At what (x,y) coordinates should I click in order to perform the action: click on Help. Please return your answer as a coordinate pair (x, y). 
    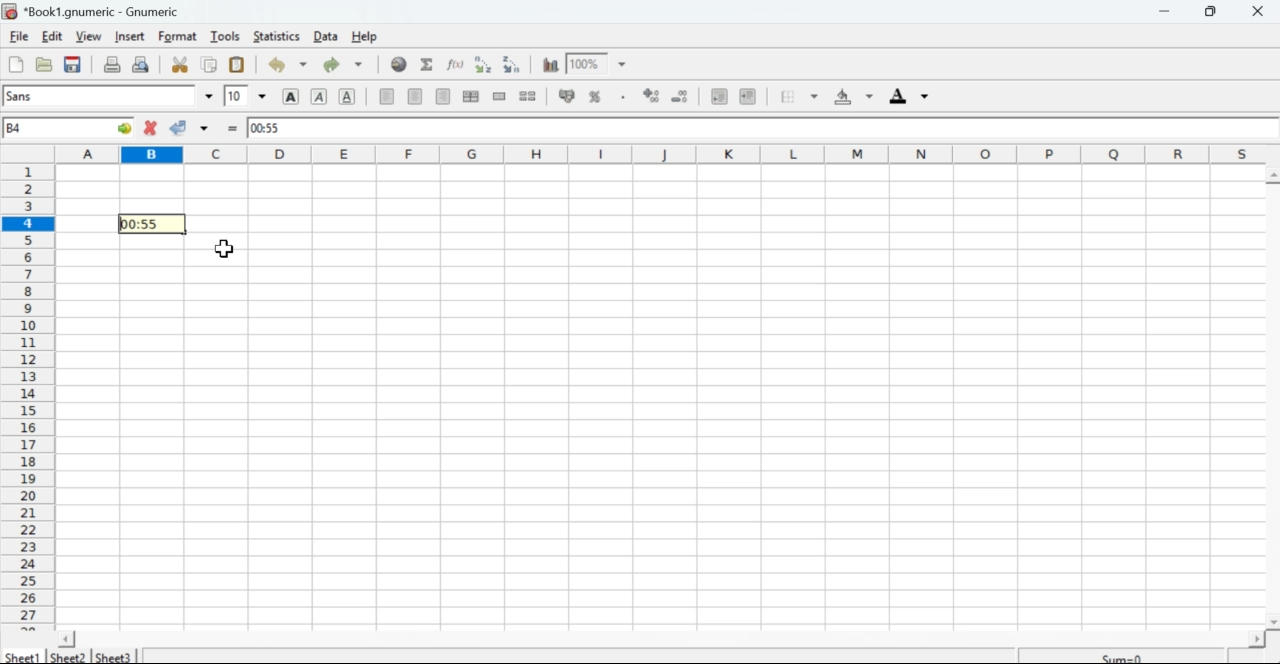
    Looking at the image, I should click on (366, 37).